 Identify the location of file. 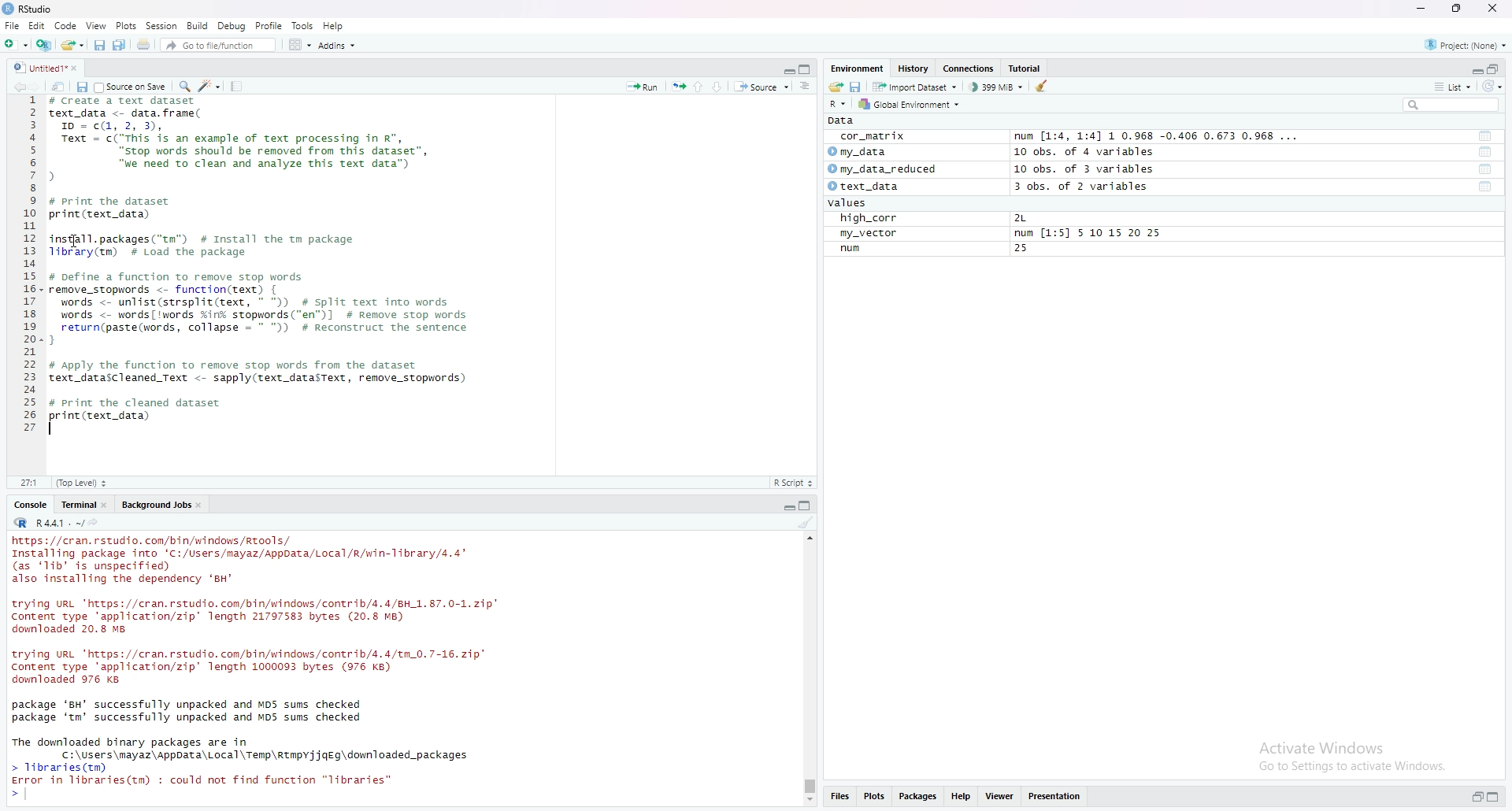
(11, 26).